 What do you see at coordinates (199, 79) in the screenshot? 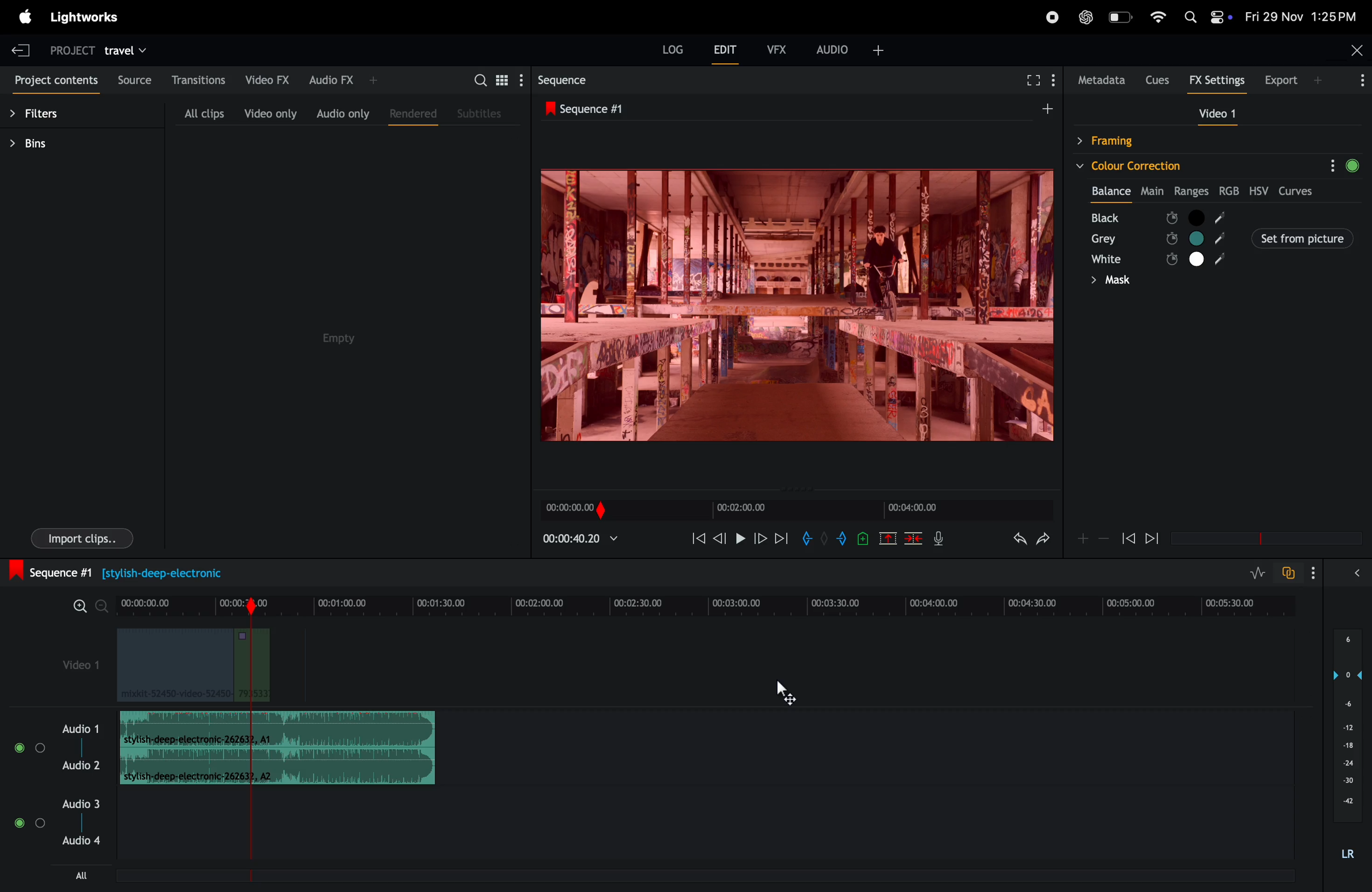
I see `transitions` at bounding box center [199, 79].